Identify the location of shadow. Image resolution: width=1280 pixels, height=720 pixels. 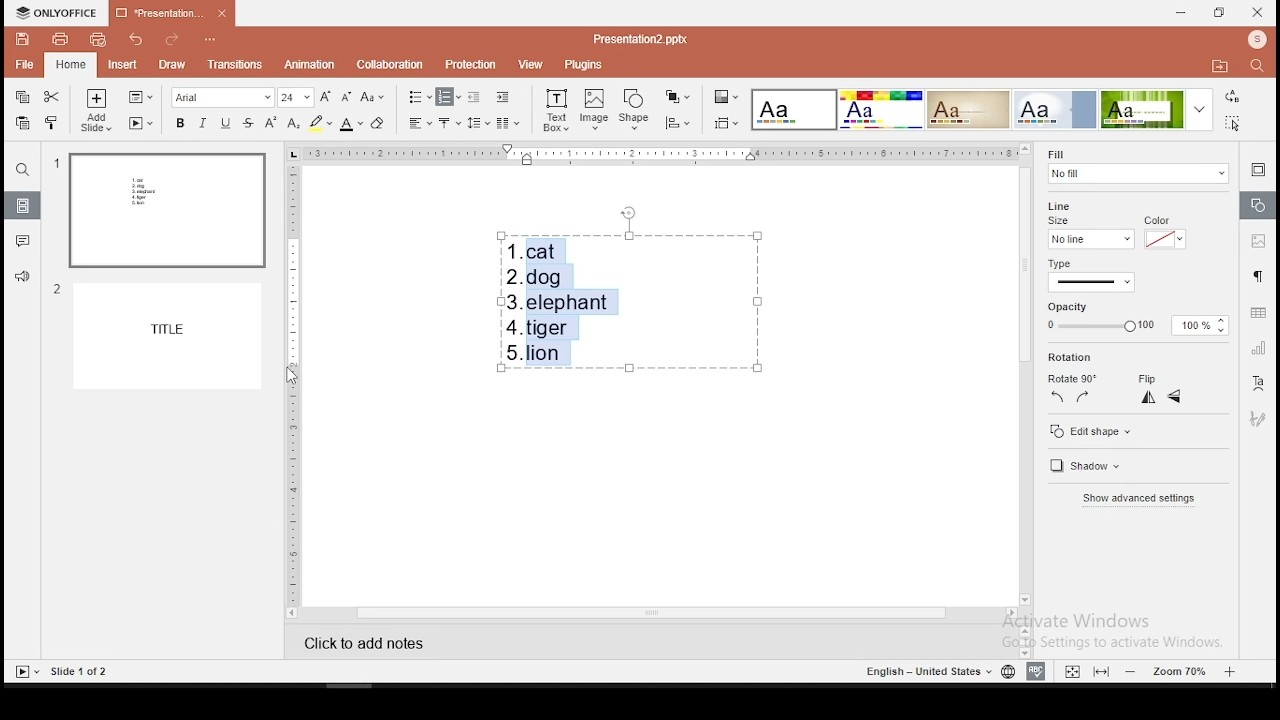
(1083, 465).